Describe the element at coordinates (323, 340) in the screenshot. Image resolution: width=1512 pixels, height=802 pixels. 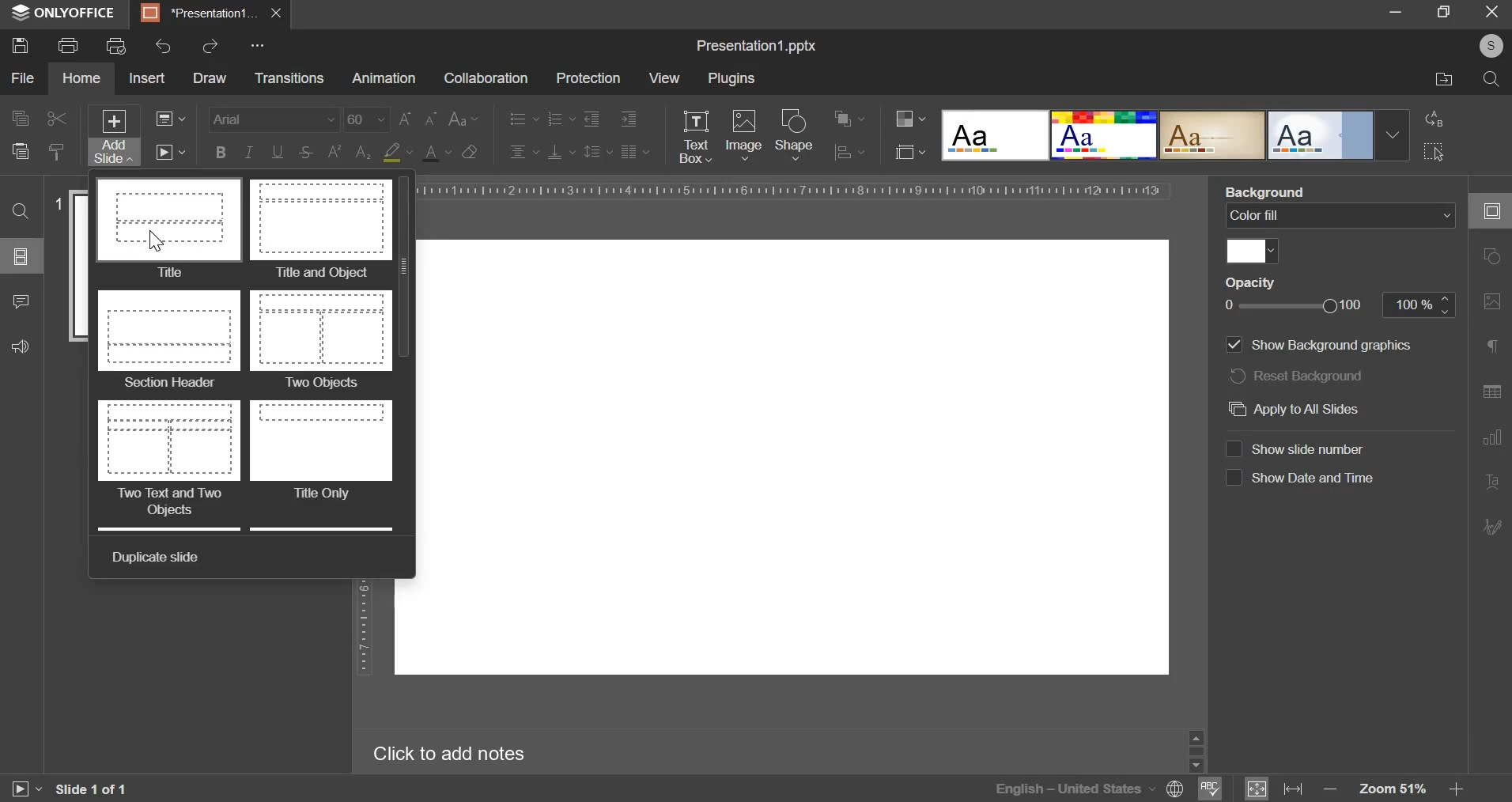
I see `two objects` at that location.